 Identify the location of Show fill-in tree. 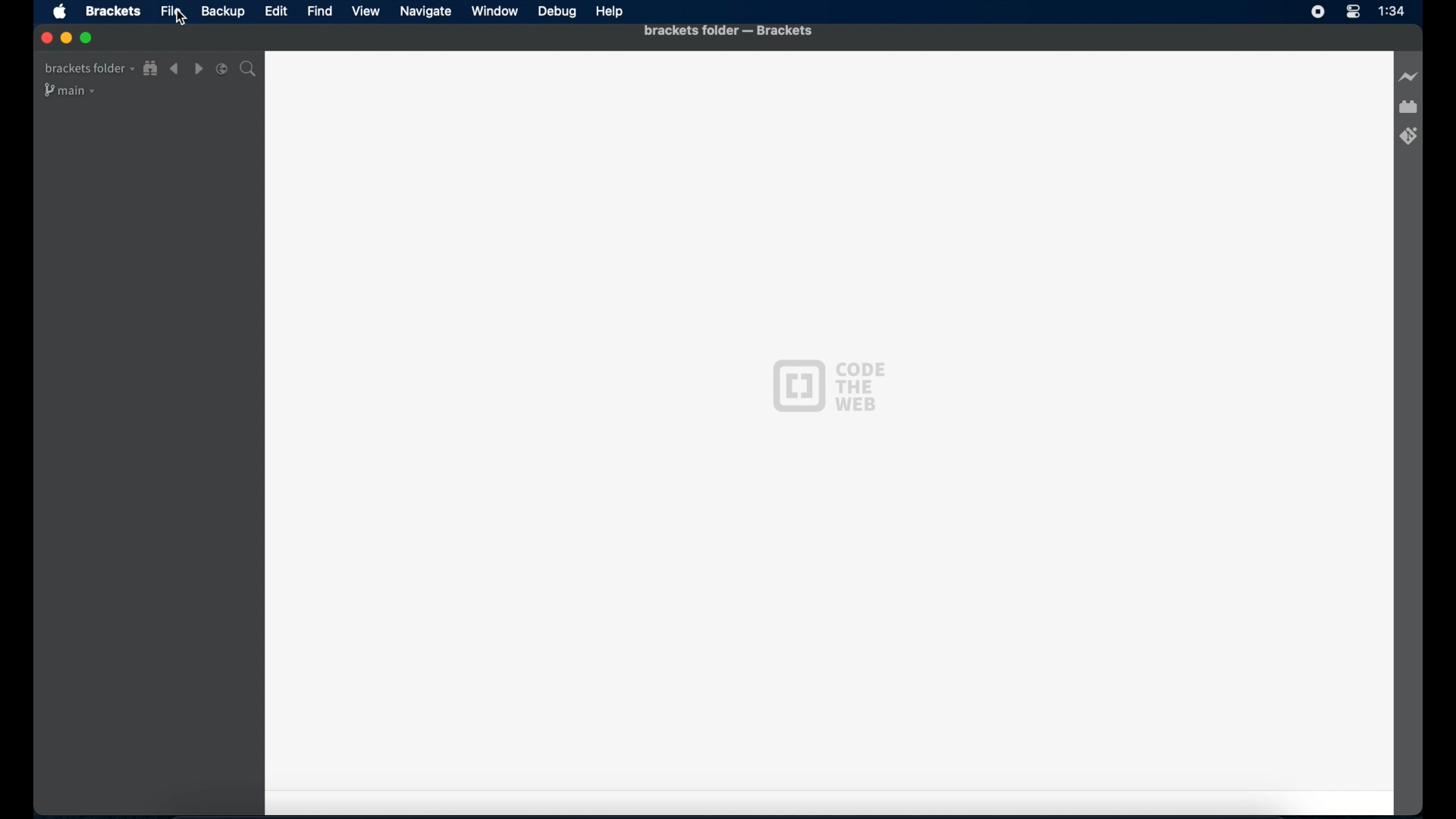
(151, 68).